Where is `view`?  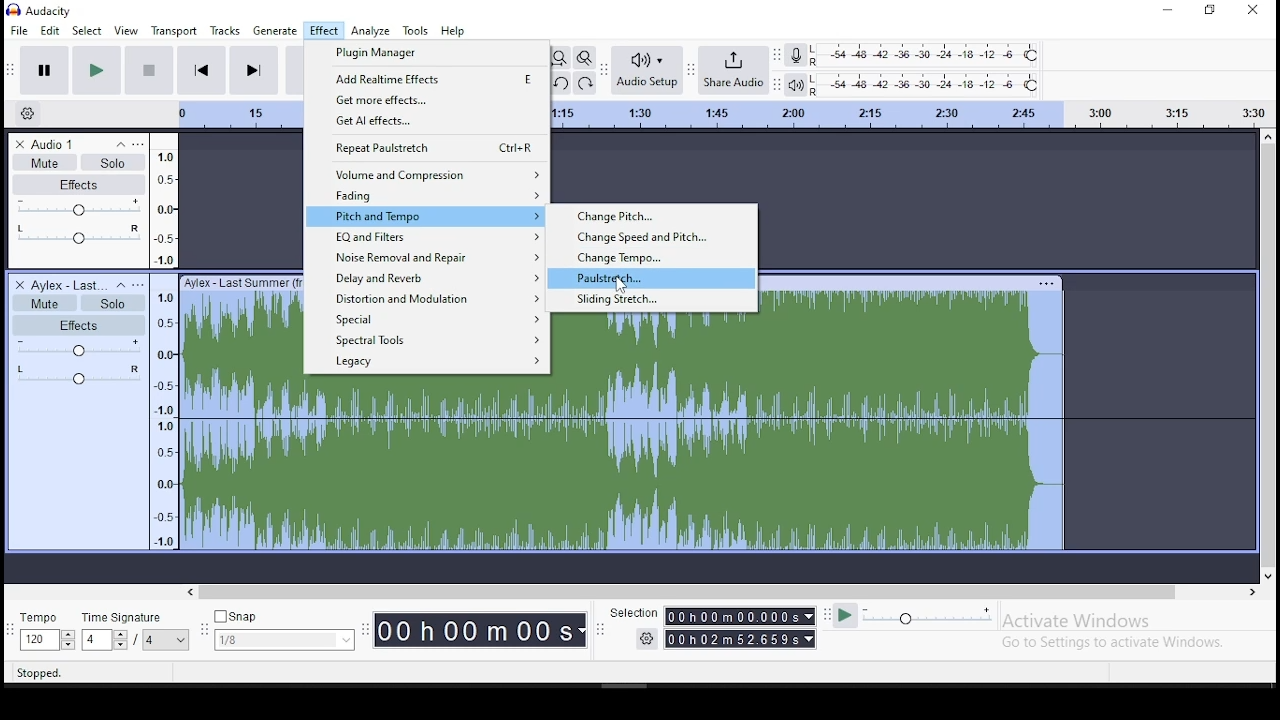 view is located at coordinates (126, 32).